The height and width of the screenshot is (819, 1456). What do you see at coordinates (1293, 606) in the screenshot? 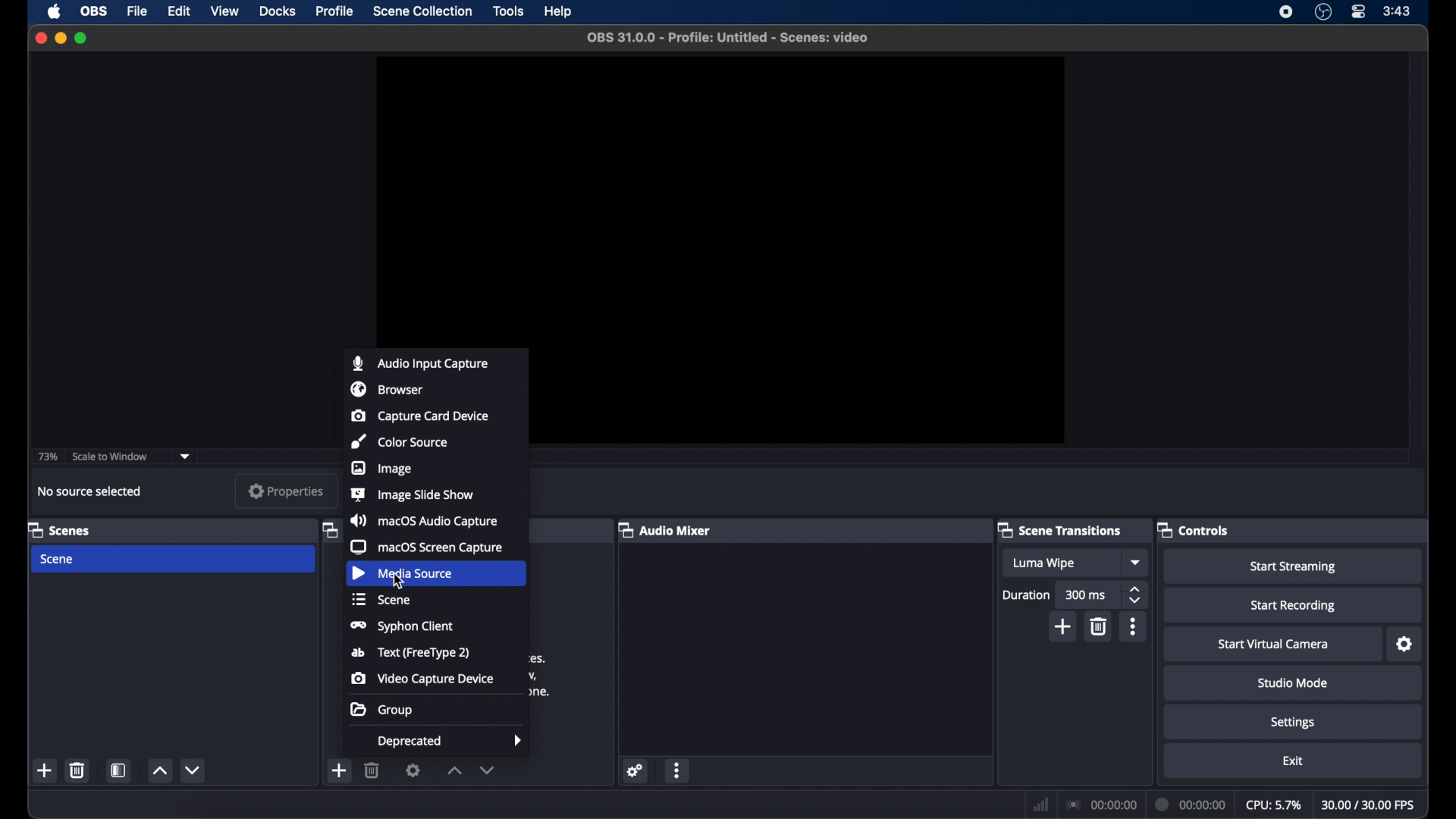
I see `start recording` at bounding box center [1293, 606].